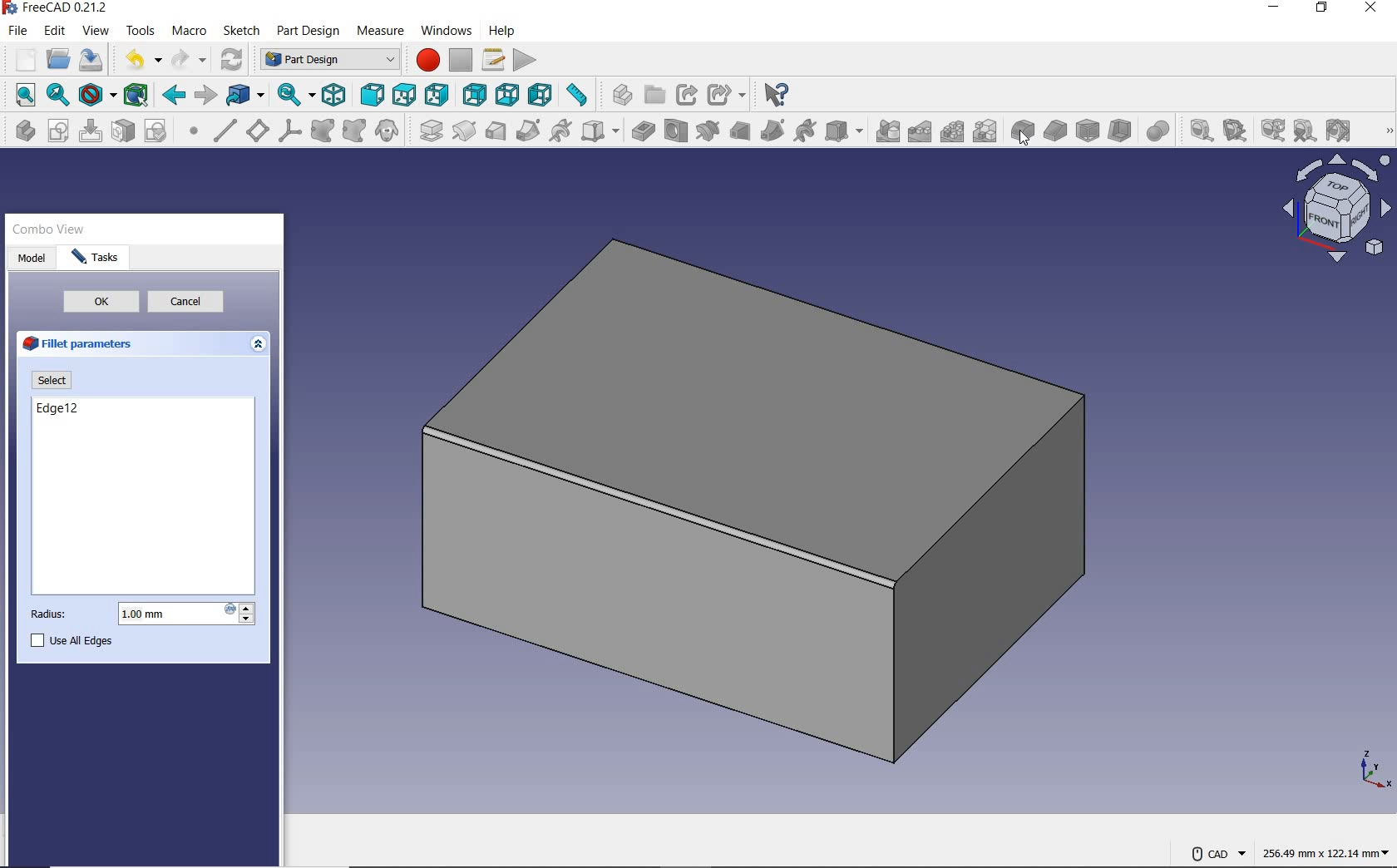 The width and height of the screenshot is (1397, 868). What do you see at coordinates (1024, 132) in the screenshot?
I see `fillet` at bounding box center [1024, 132].